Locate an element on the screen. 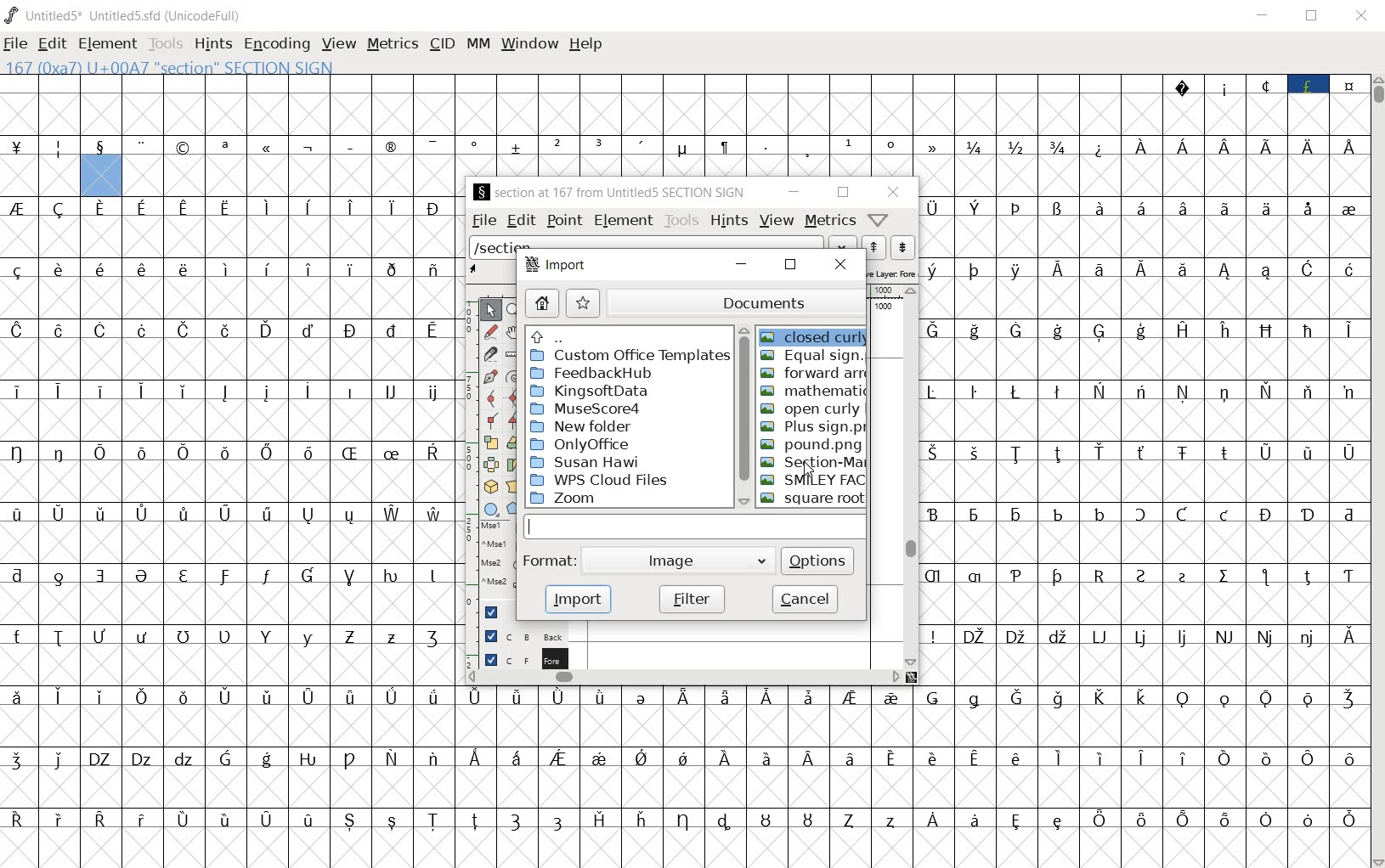  Untitled1 Untitled1.sfd (UnicodeFull) is located at coordinates (122, 15).